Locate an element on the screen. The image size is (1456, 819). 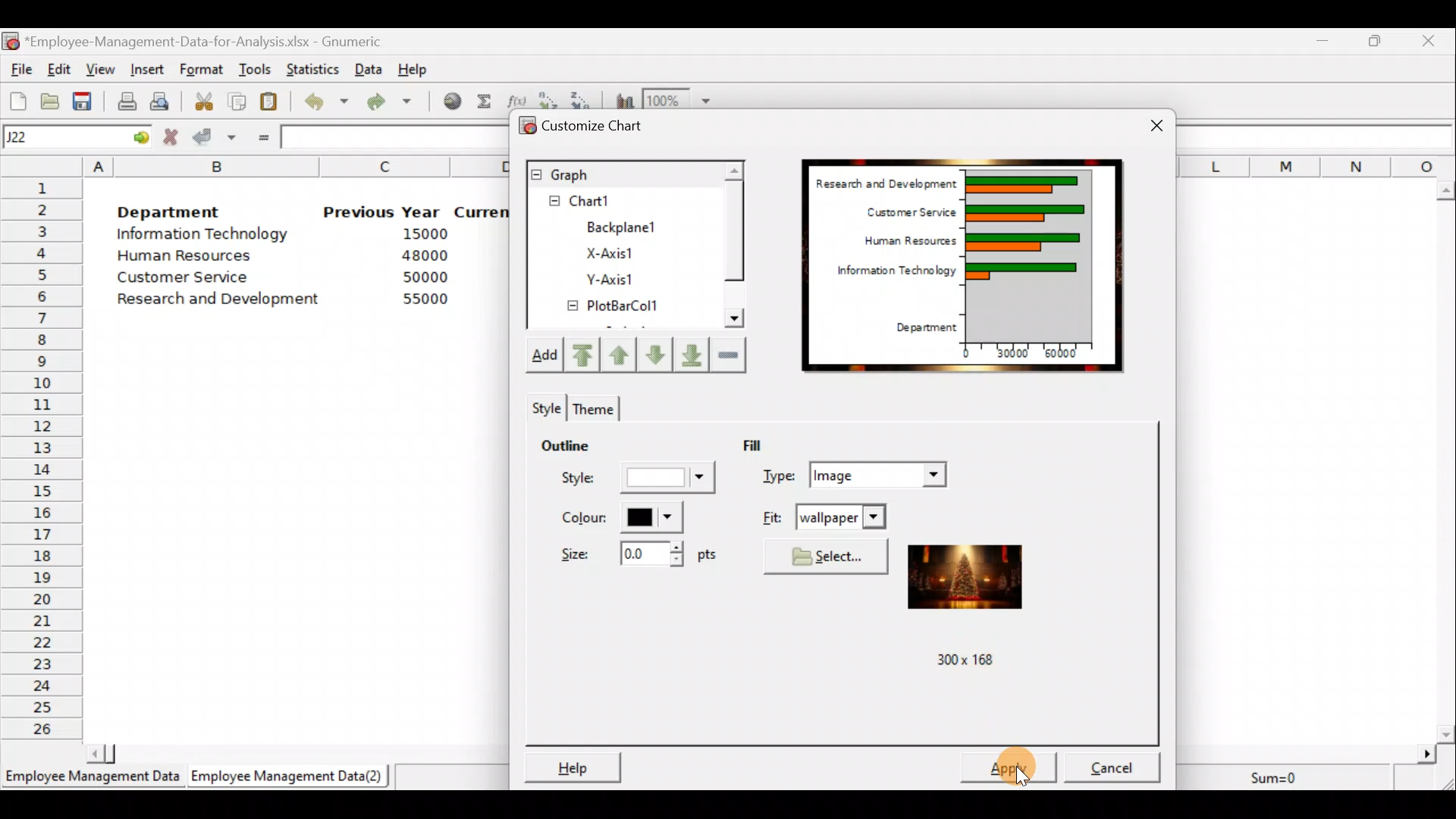
Fit is located at coordinates (824, 516).